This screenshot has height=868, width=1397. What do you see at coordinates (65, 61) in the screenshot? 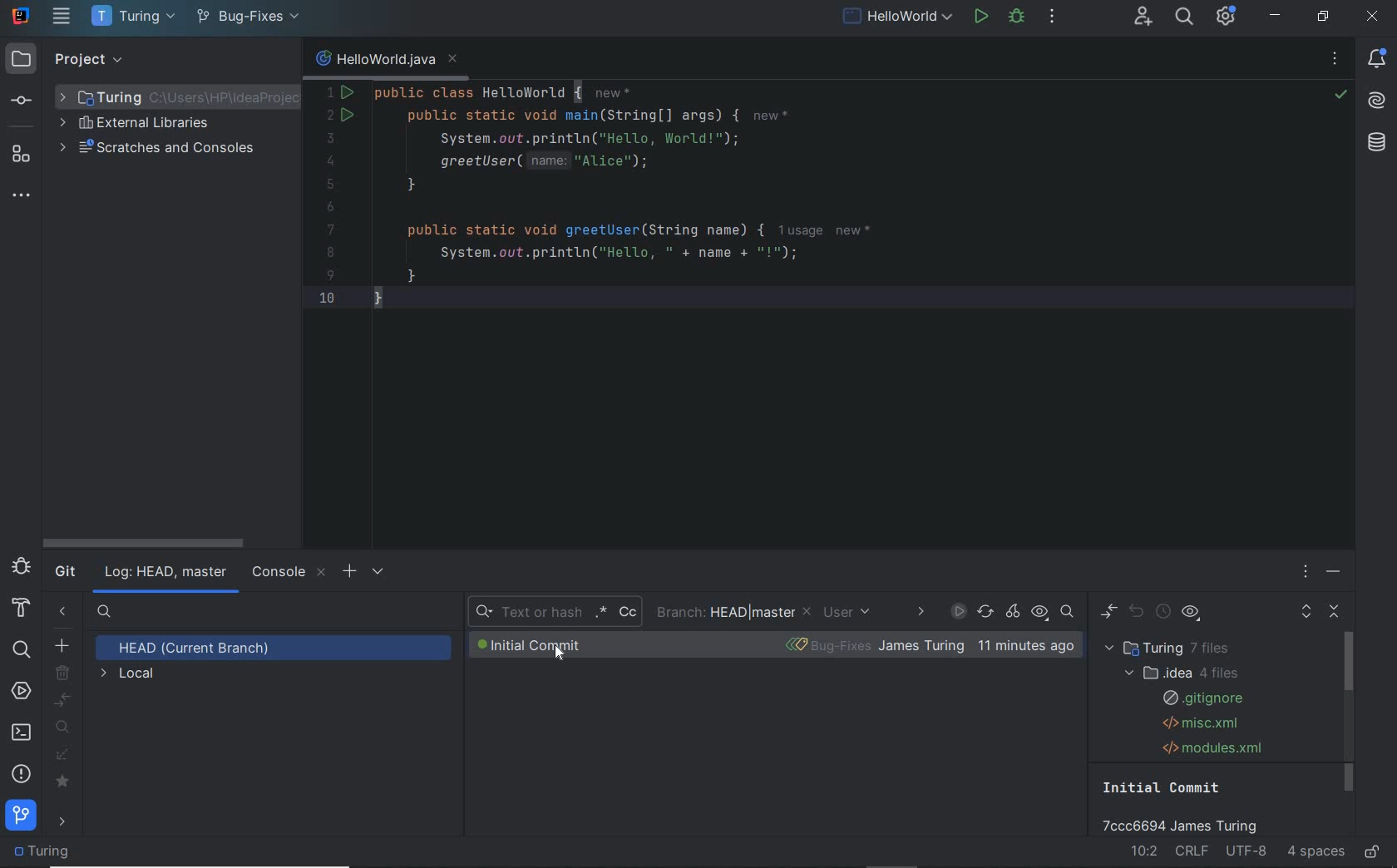
I see `project` at bounding box center [65, 61].